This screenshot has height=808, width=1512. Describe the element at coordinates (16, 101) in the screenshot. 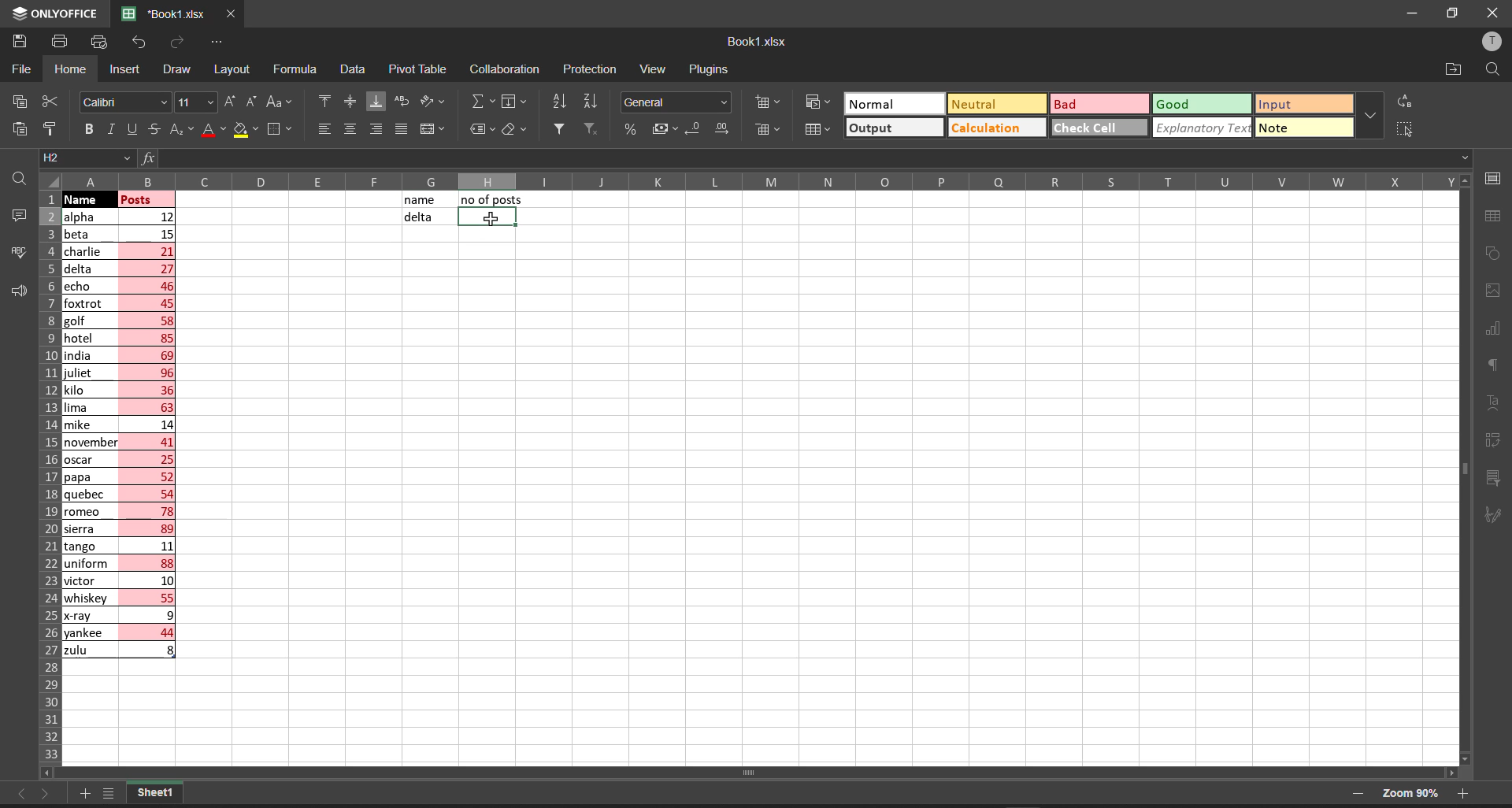

I see `copy` at that location.